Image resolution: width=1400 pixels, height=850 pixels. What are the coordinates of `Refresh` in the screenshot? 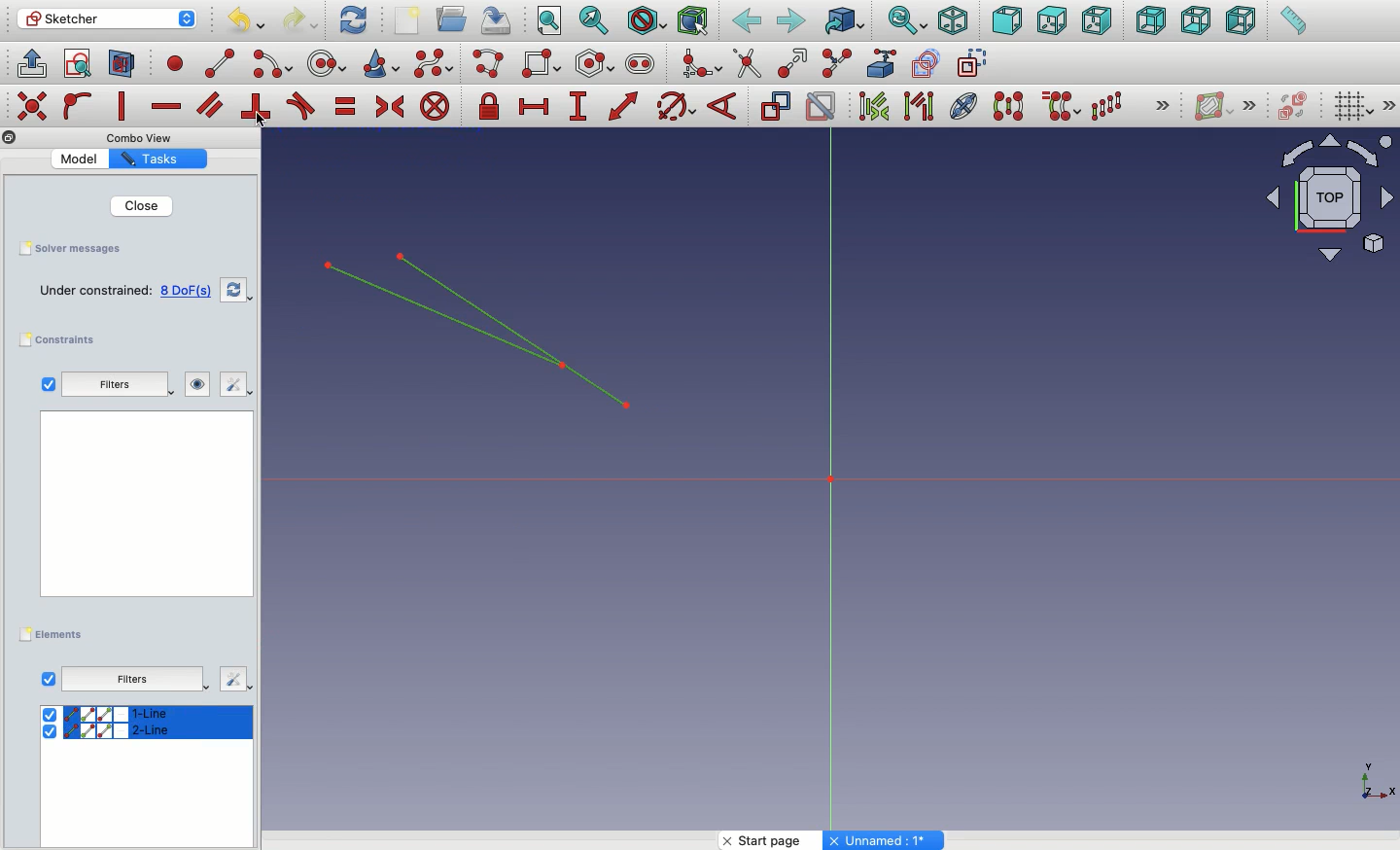 It's located at (233, 292).